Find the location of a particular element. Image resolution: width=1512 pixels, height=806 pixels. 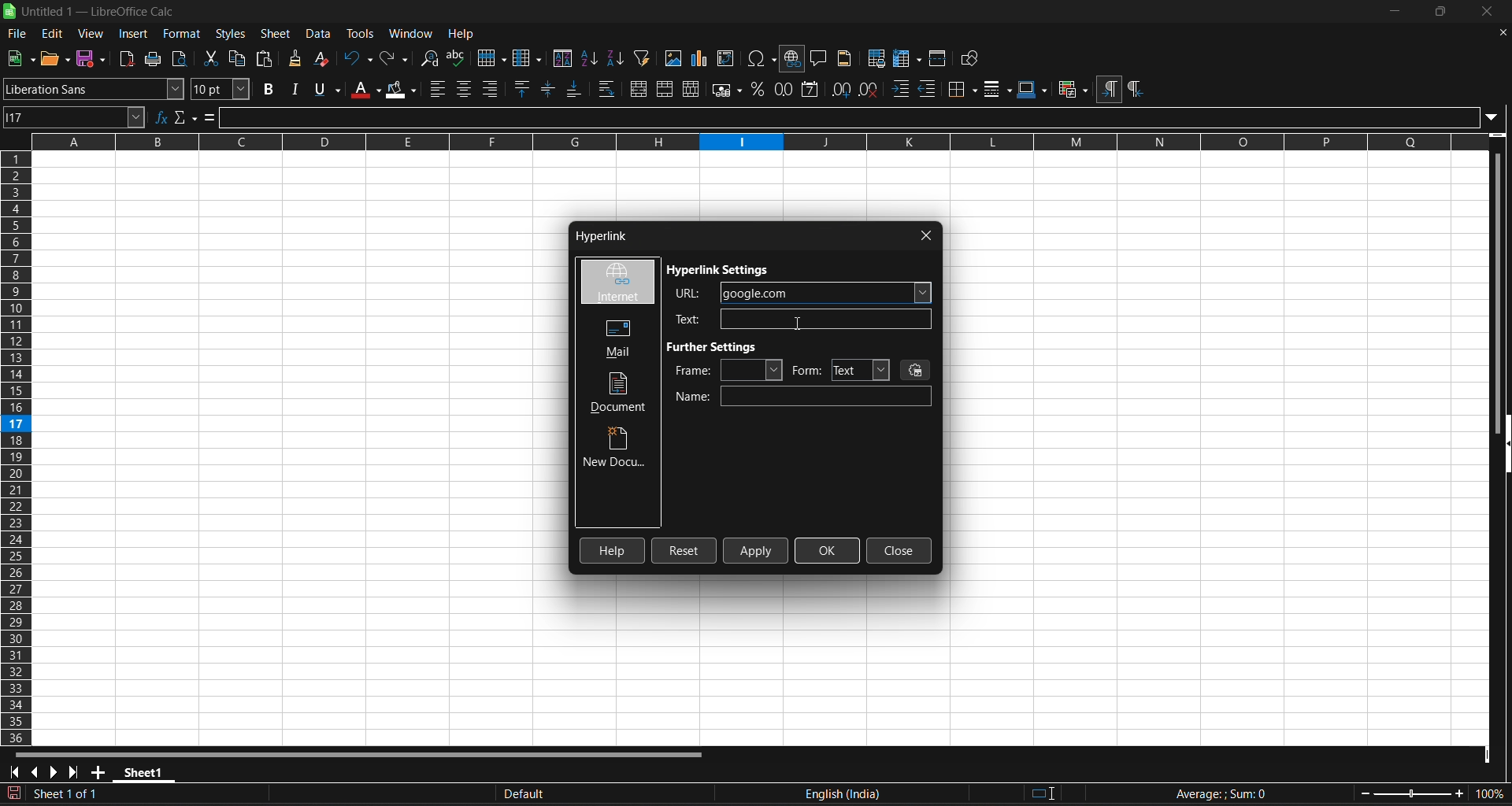

hyperlink is located at coordinates (598, 238).